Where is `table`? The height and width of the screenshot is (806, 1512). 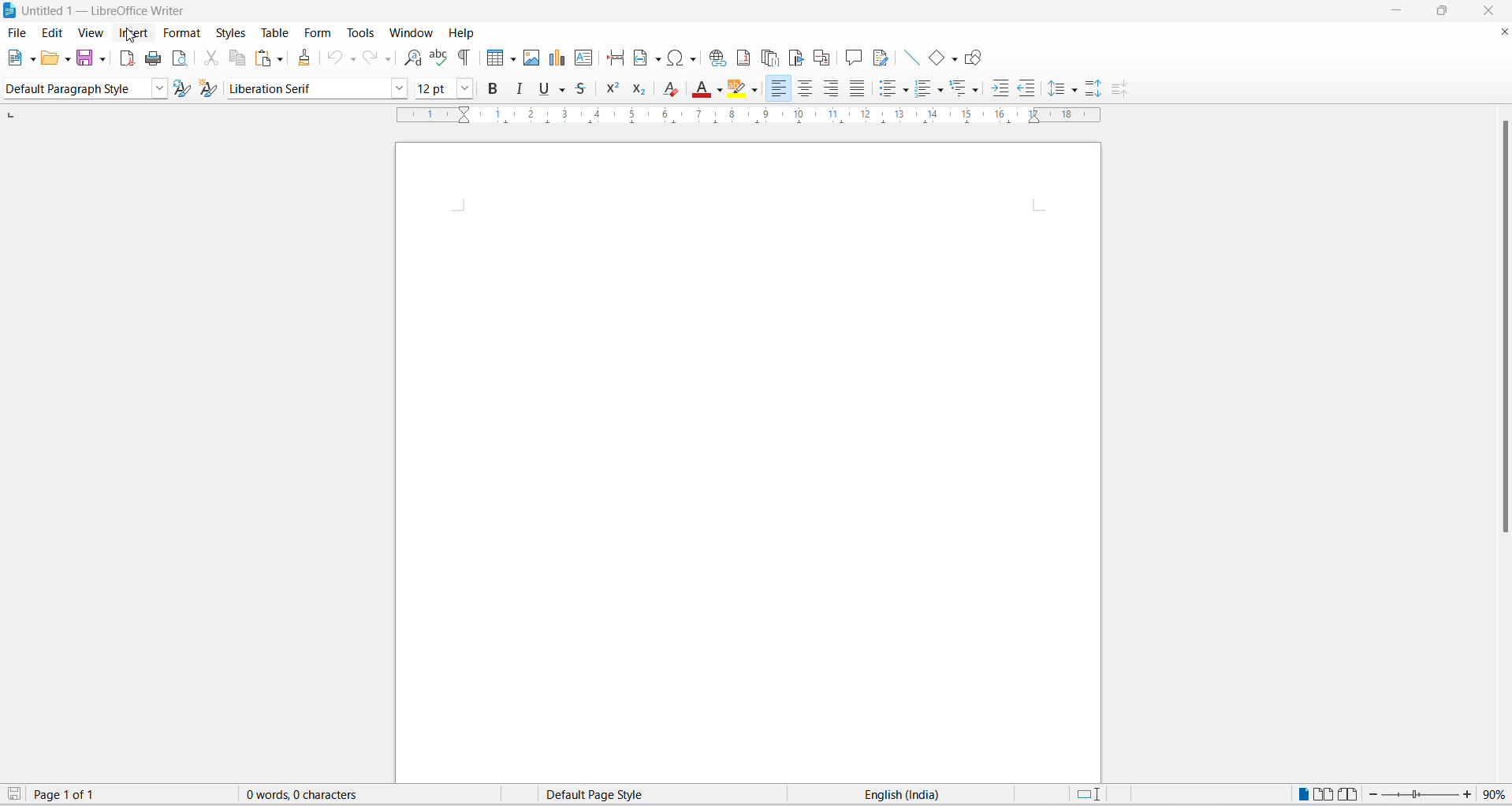
table is located at coordinates (273, 32).